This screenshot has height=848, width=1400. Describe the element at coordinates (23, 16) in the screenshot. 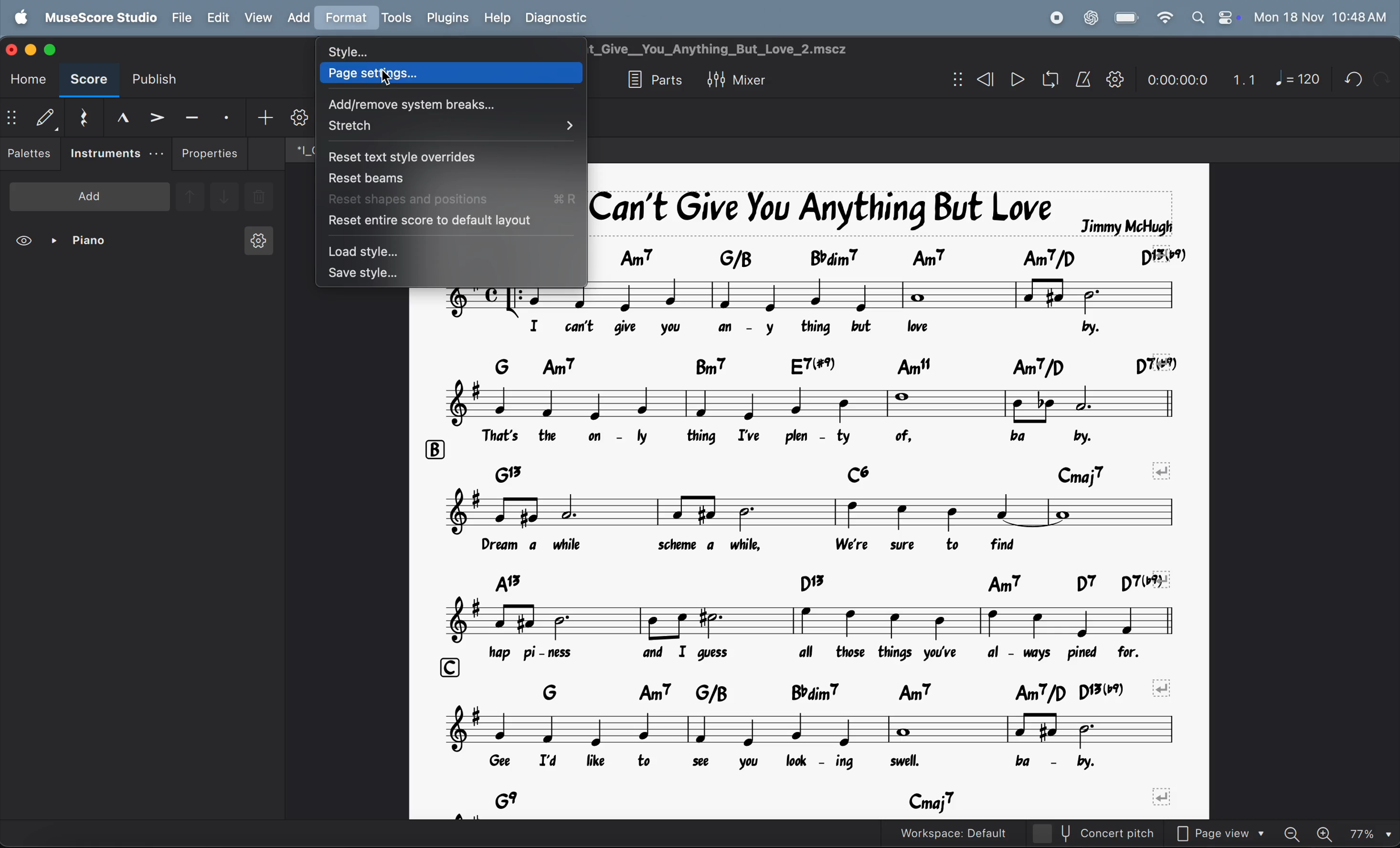

I see `apple menu` at that location.